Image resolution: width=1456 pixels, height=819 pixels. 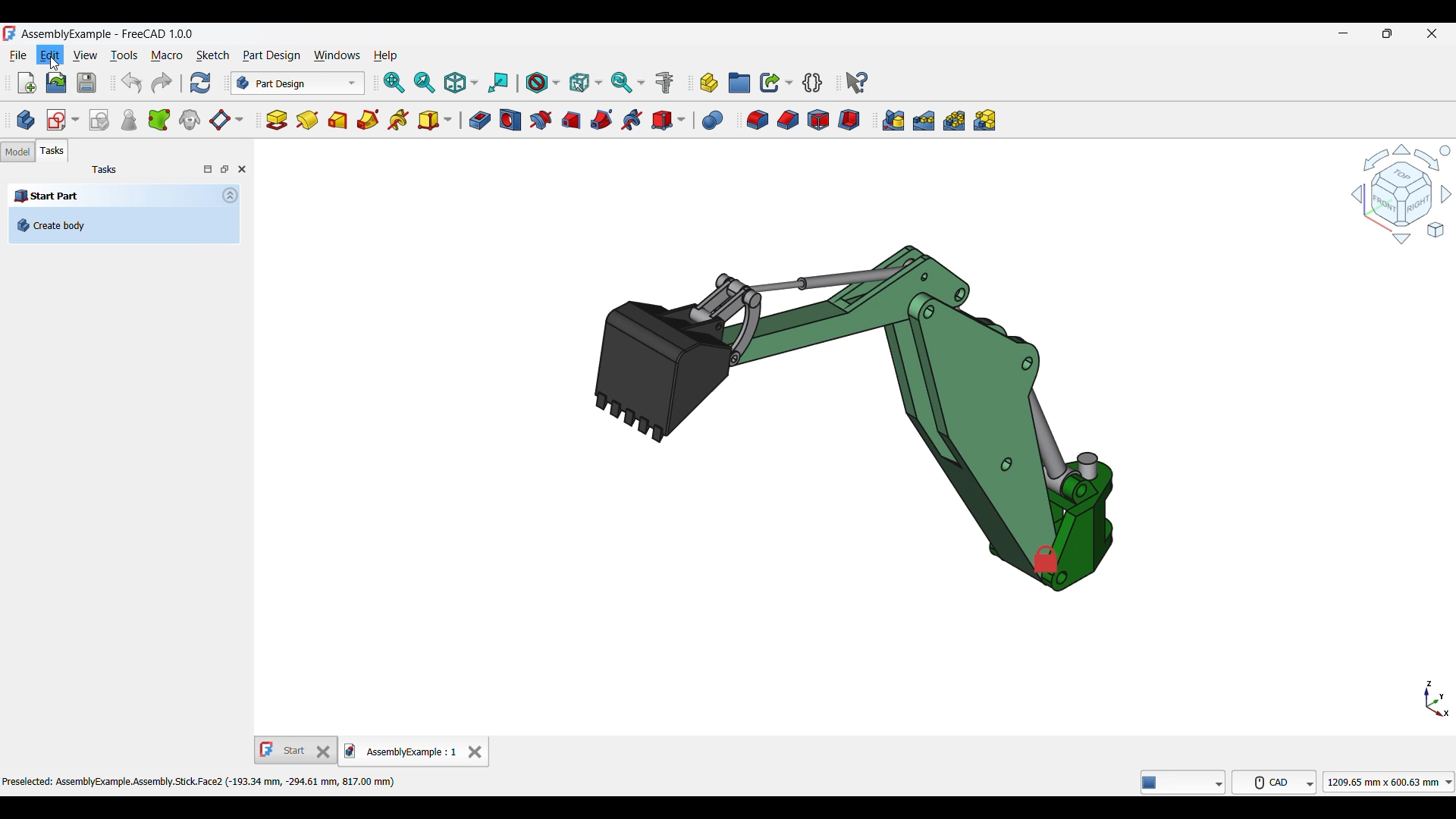 I want to click on Minimize, so click(x=1344, y=33).